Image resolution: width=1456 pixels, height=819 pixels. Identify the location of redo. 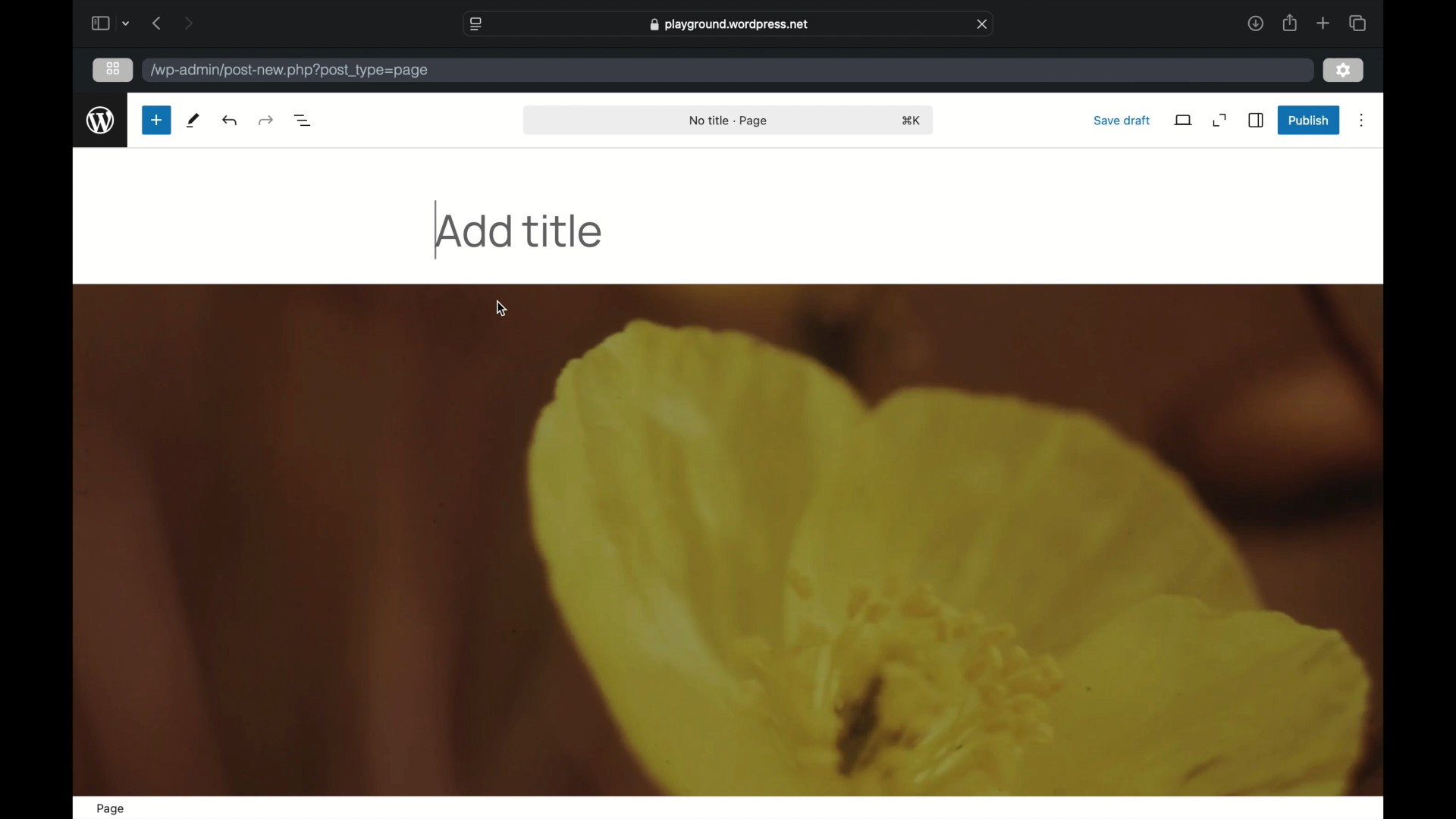
(229, 121).